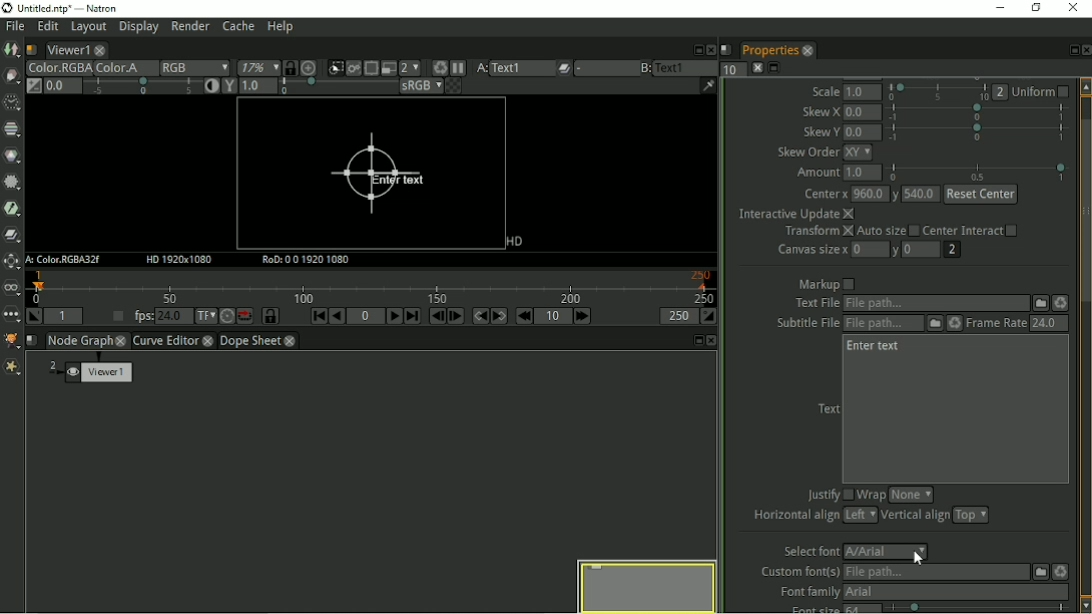 The height and width of the screenshot is (614, 1092). I want to click on Layout, so click(87, 29).